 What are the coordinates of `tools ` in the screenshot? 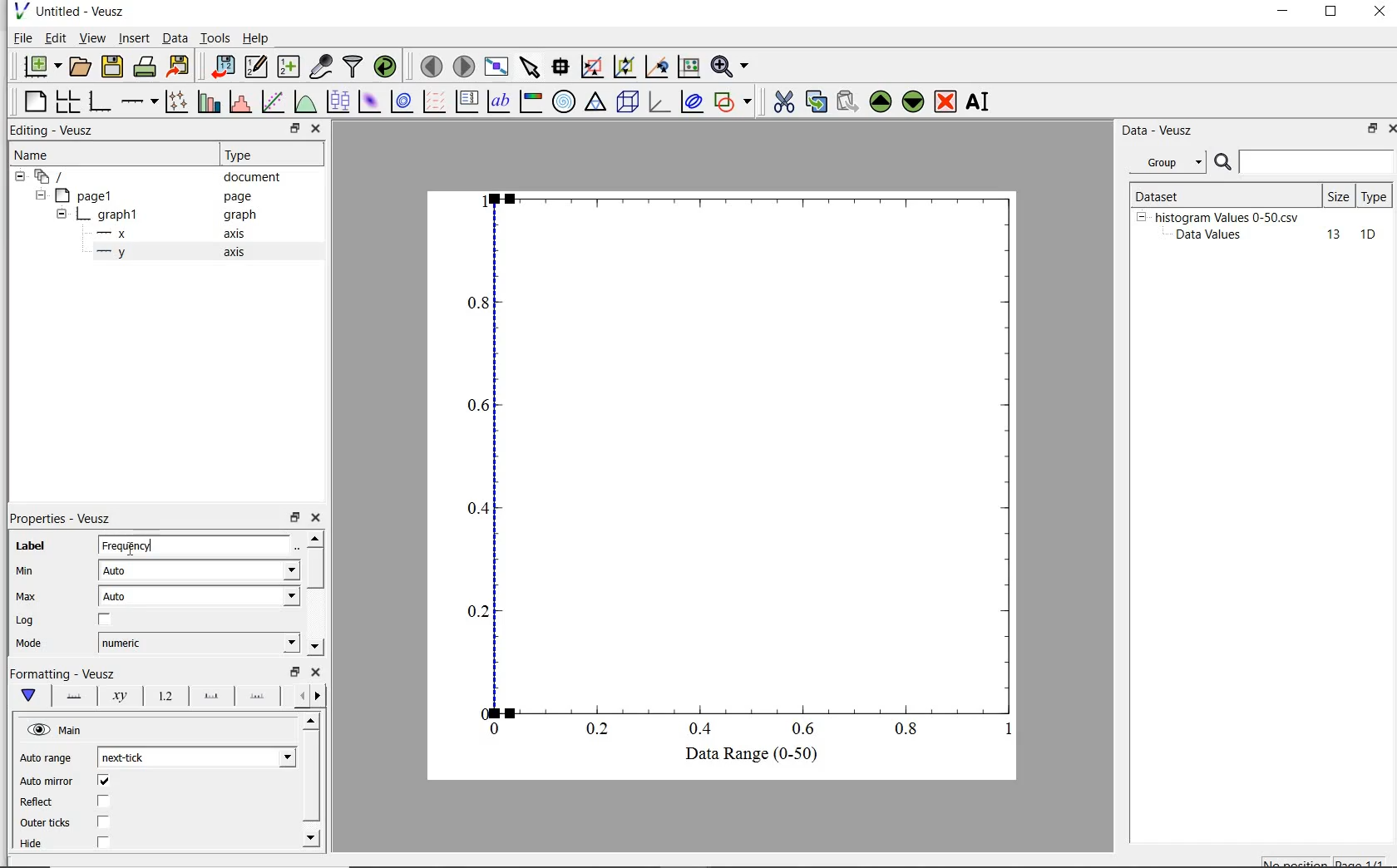 It's located at (216, 37).